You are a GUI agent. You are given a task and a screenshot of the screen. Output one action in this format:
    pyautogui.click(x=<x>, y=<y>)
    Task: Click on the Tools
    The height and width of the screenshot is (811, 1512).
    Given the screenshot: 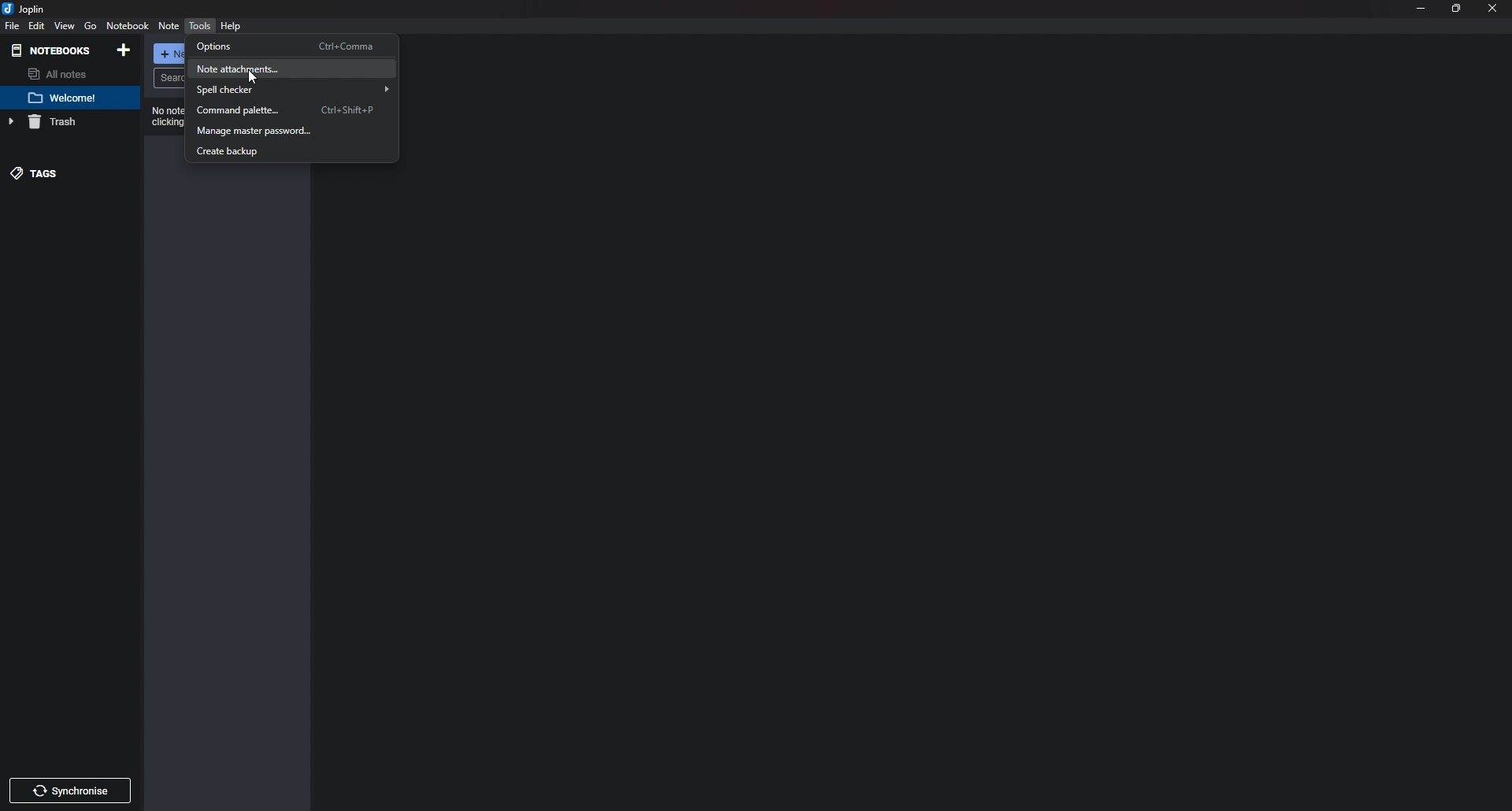 What is the action you would take?
    pyautogui.click(x=200, y=26)
    